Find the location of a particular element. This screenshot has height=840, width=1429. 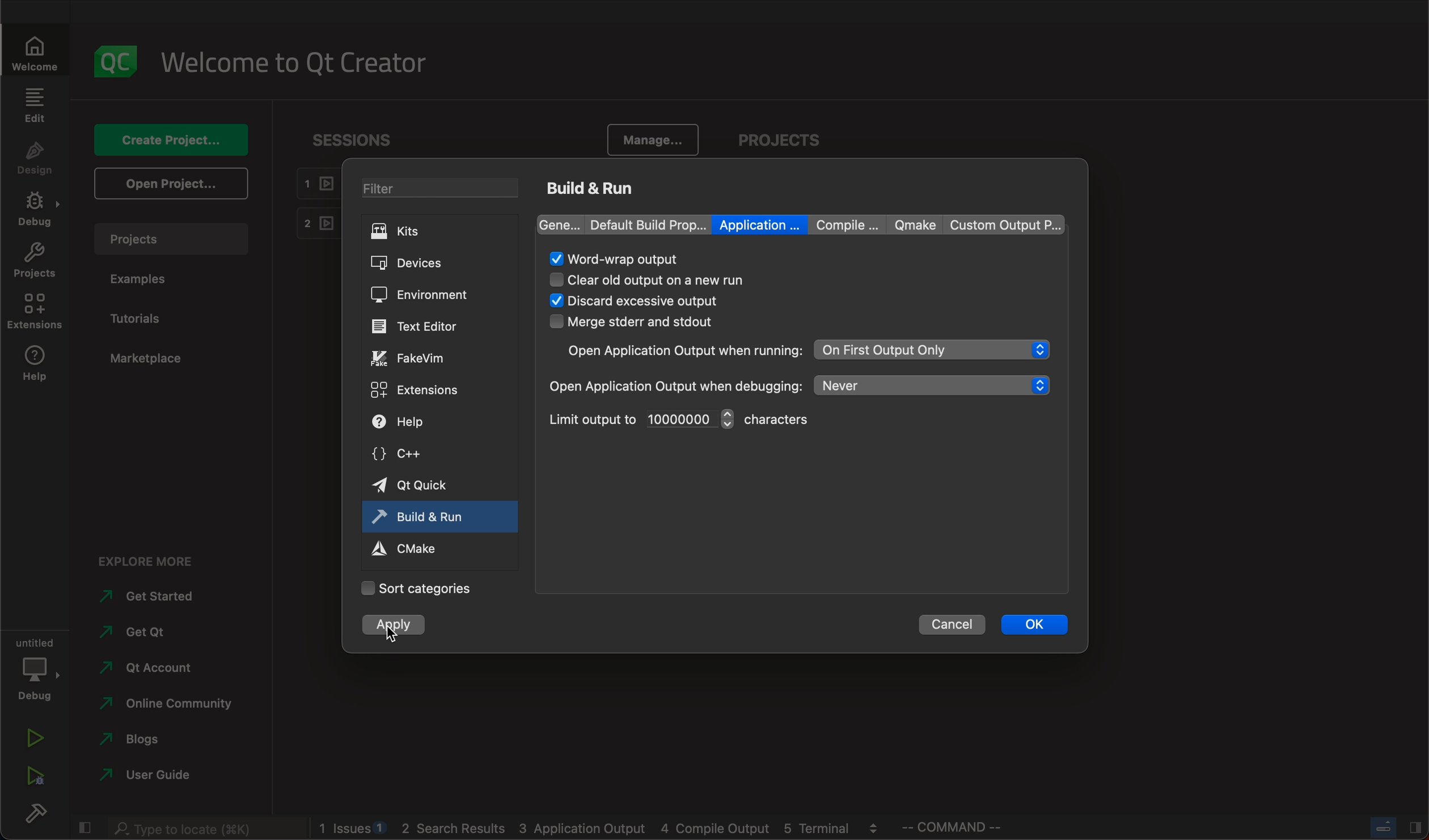

on first output is located at coordinates (933, 350).